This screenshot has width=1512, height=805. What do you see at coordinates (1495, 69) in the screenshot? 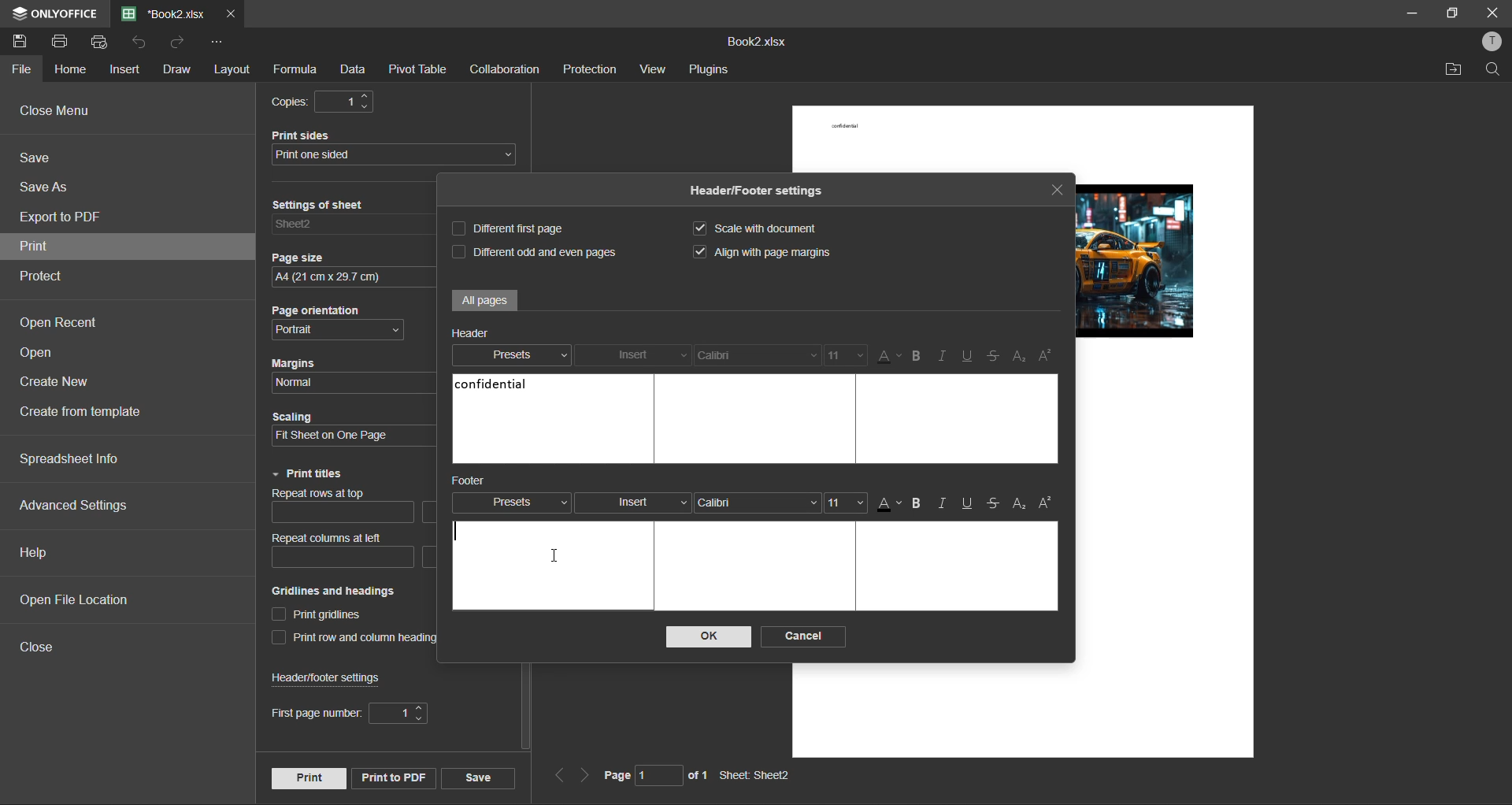
I see `find` at bounding box center [1495, 69].